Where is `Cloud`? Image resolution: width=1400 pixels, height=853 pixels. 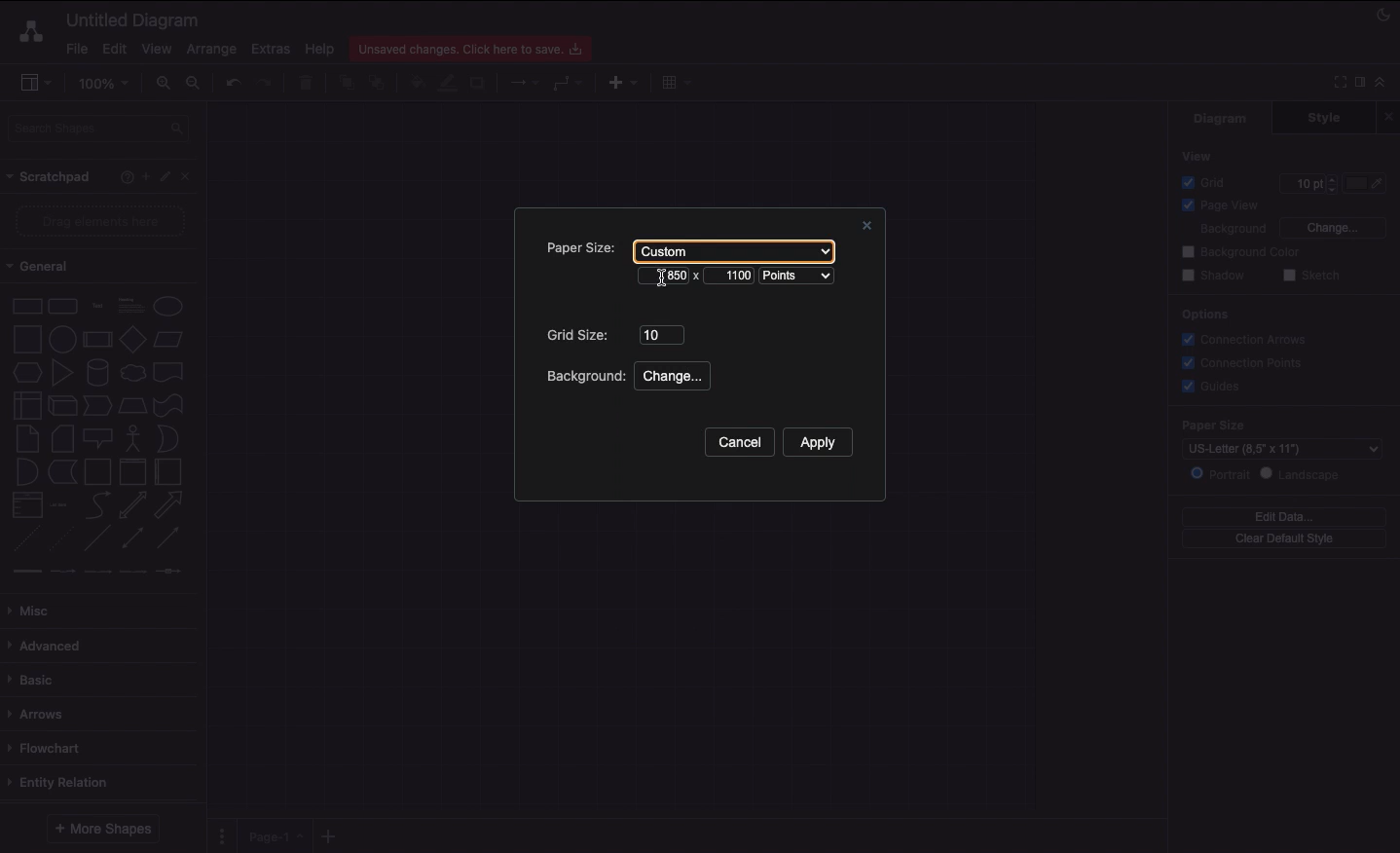
Cloud is located at coordinates (131, 373).